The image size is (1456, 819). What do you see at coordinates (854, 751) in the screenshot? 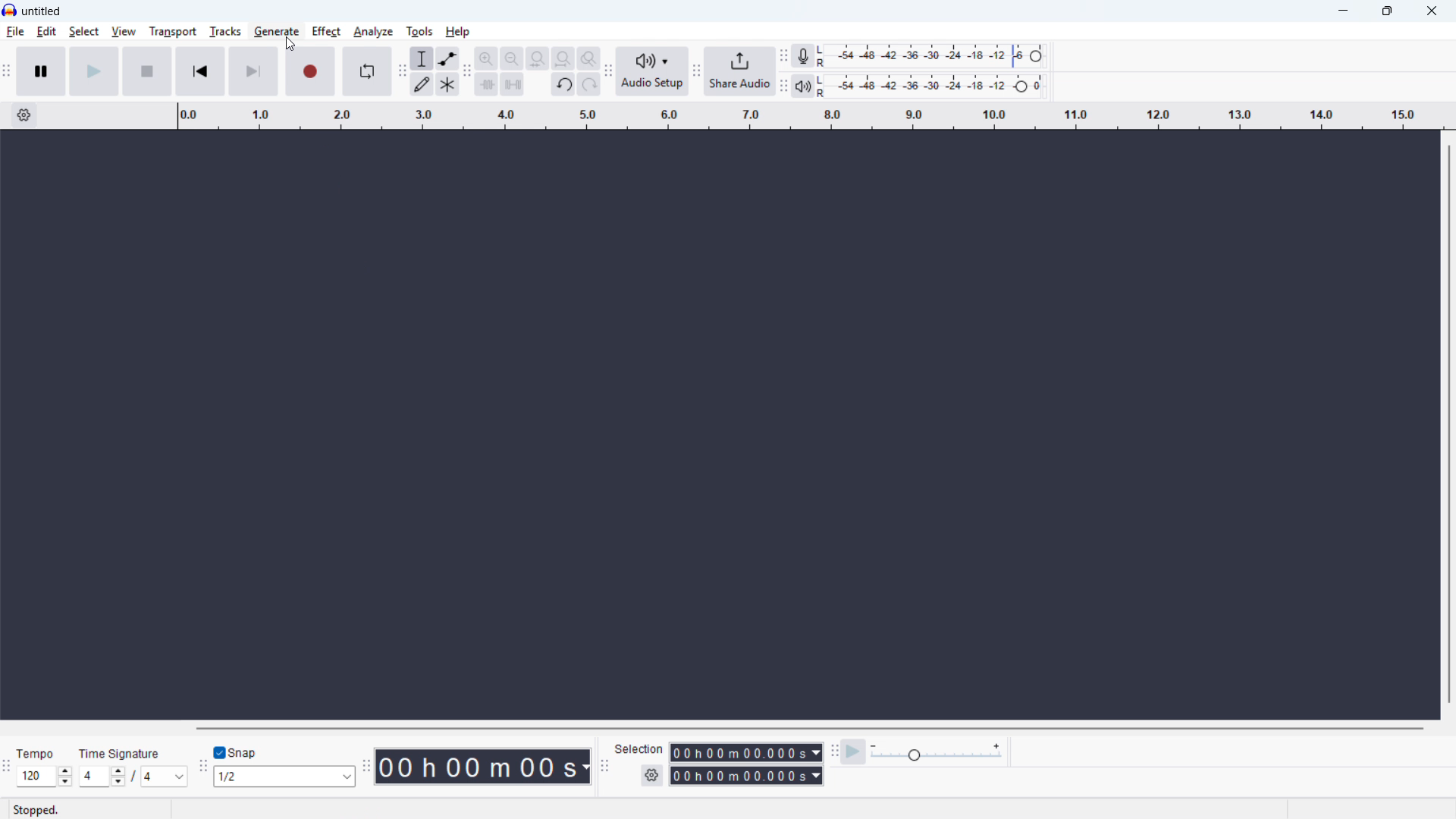
I see `Play at speed ` at bounding box center [854, 751].